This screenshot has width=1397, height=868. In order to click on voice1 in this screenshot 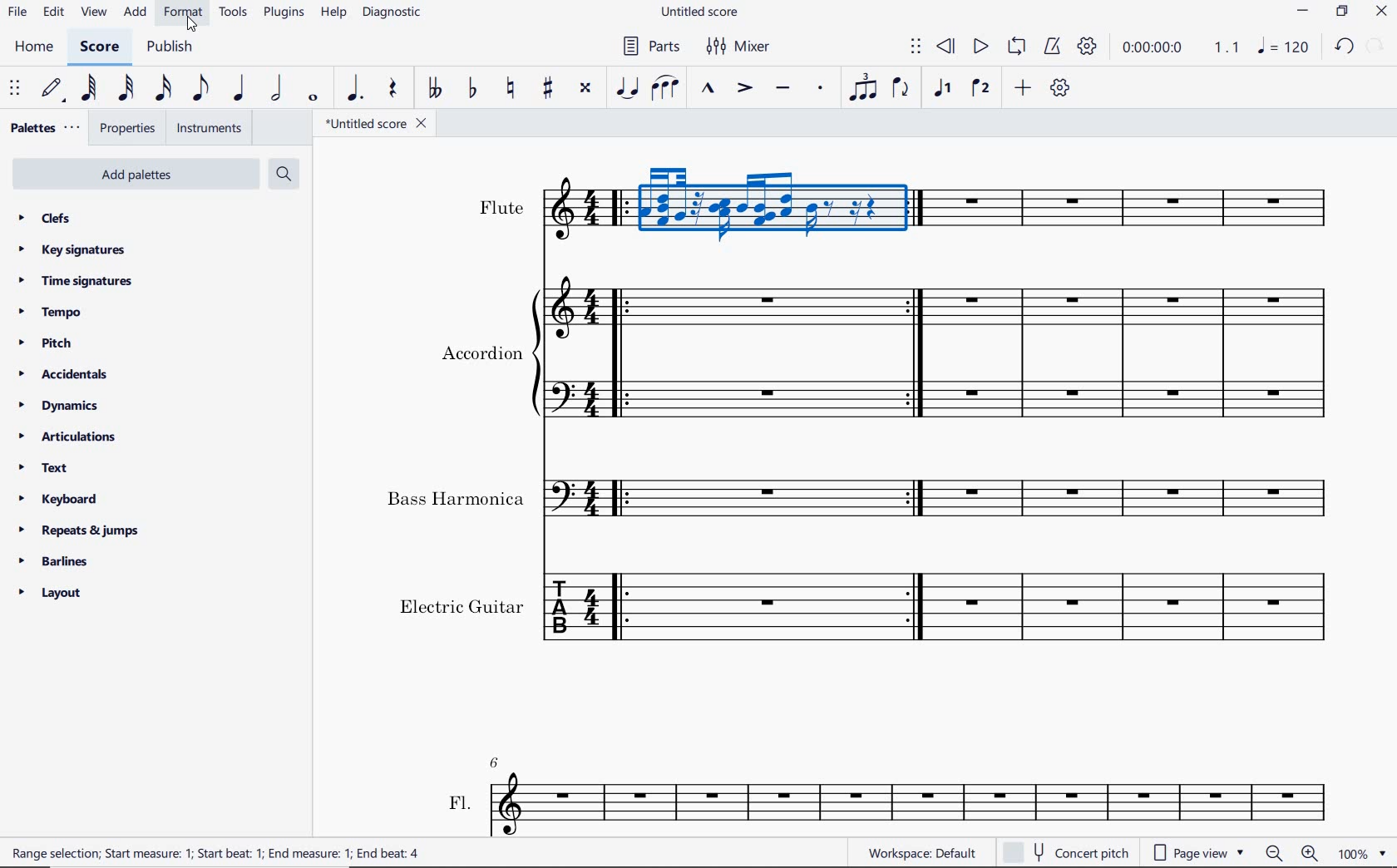, I will do `click(945, 89)`.